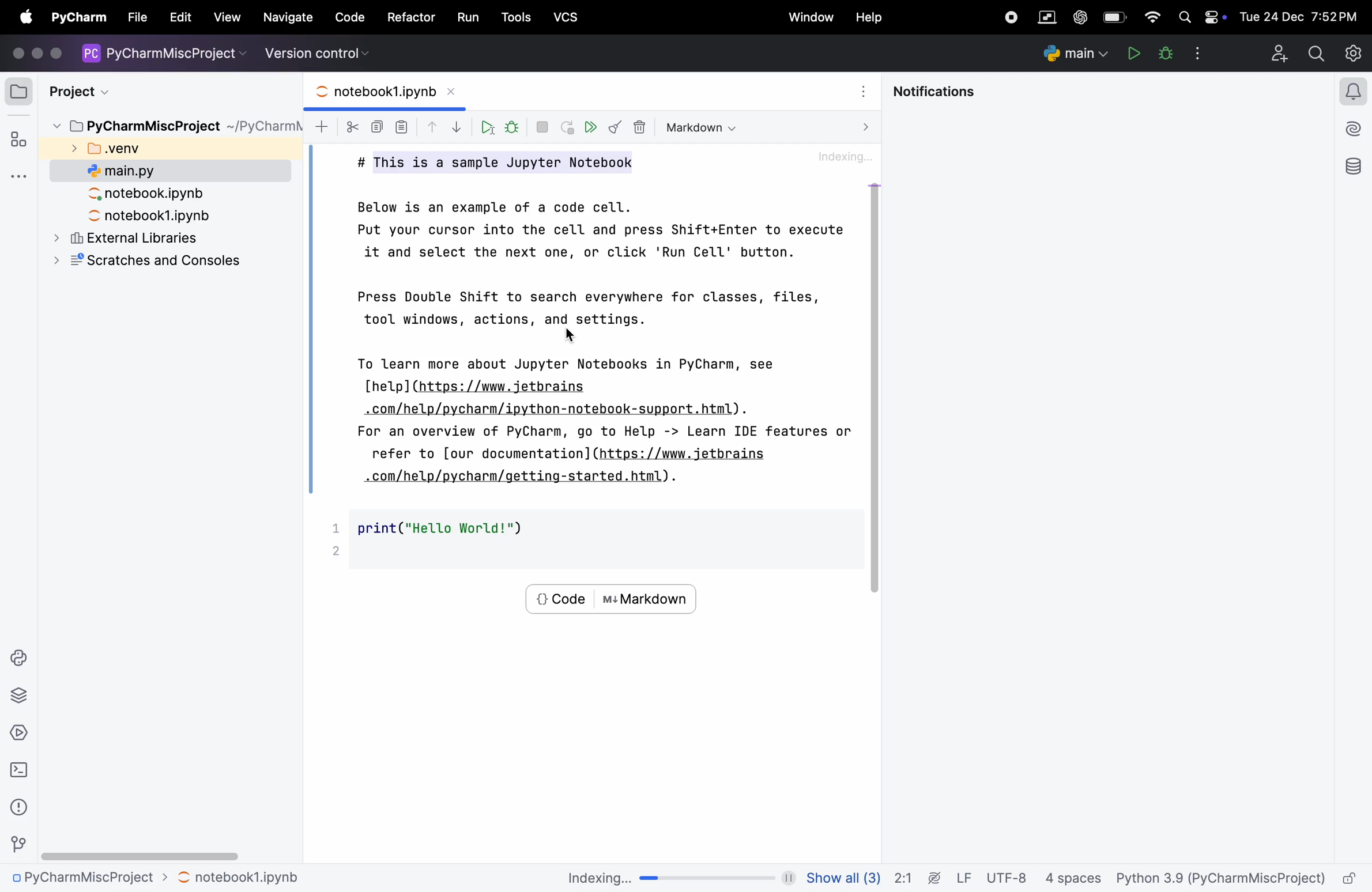  Describe the element at coordinates (288, 17) in the screenshot. I see `navigate` at that location.